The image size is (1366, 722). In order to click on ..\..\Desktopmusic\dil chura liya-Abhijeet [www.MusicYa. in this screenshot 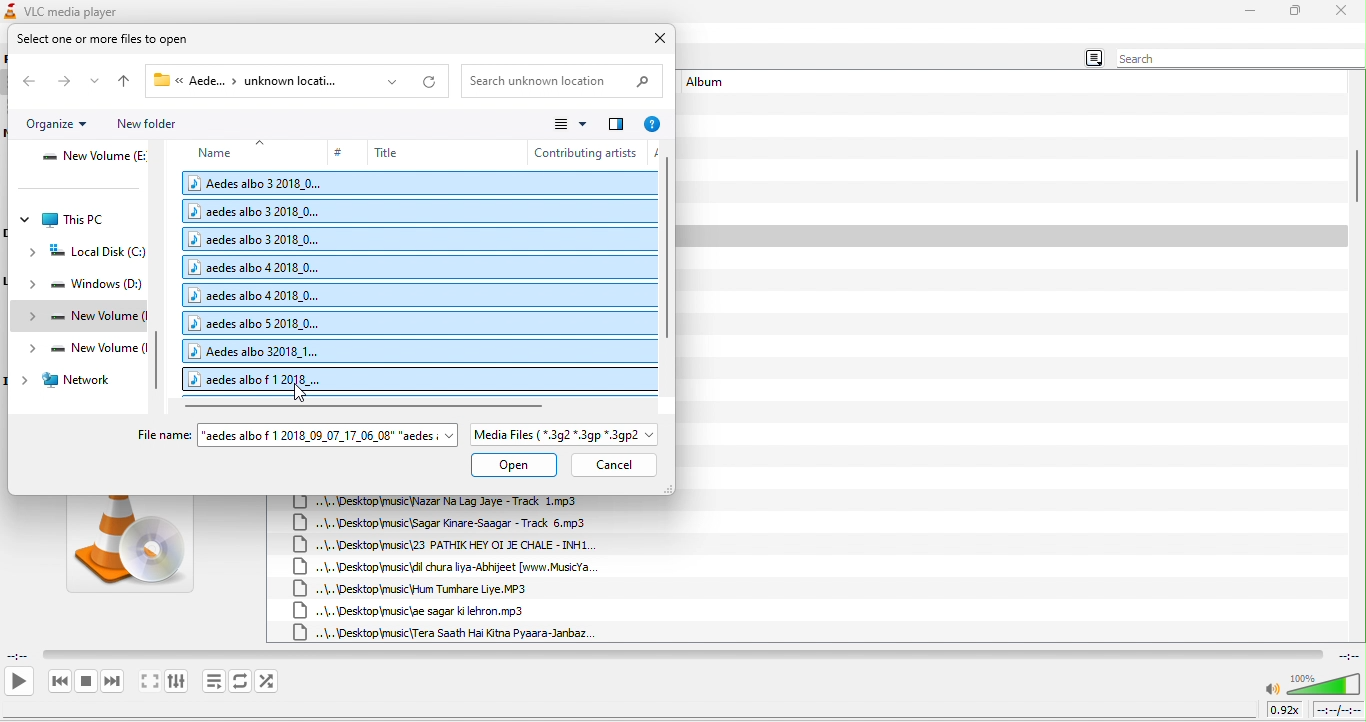, I will do `click(456, 567)`.